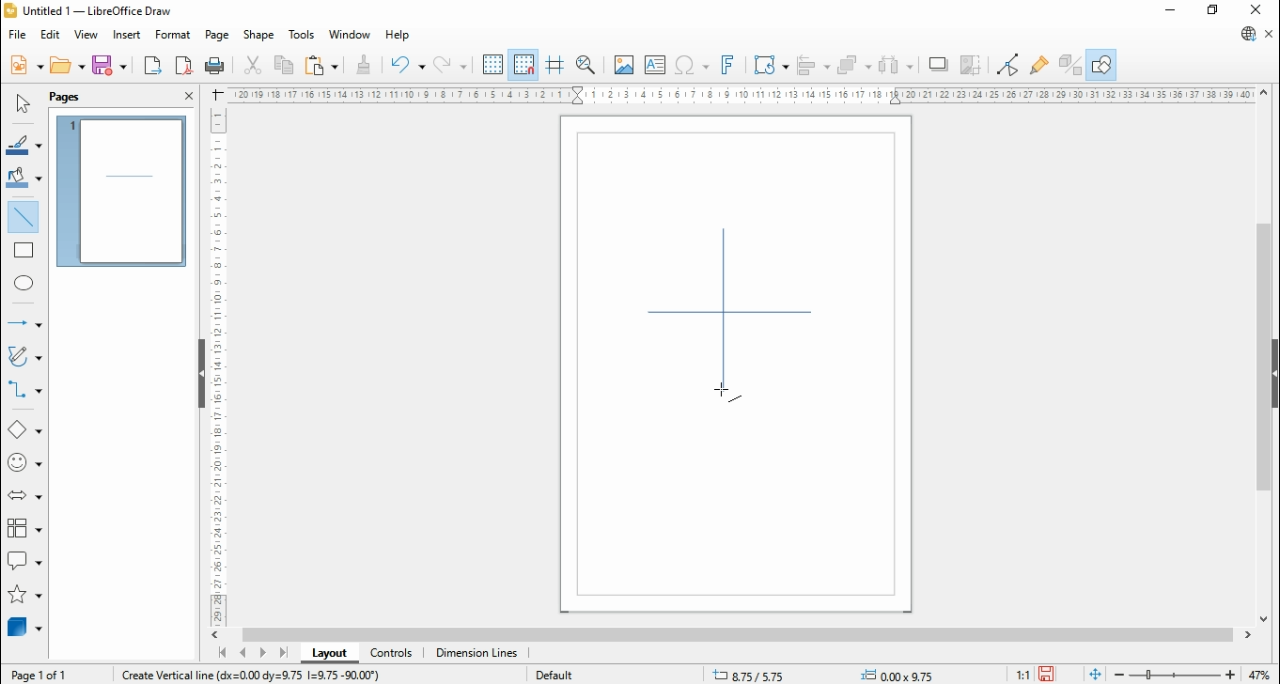 The width and height of the screenshot is (1280, 684). What do you see at coordinates (218, 366) in the screenshot?
I see `Scale` at bounding box center [218, 366].